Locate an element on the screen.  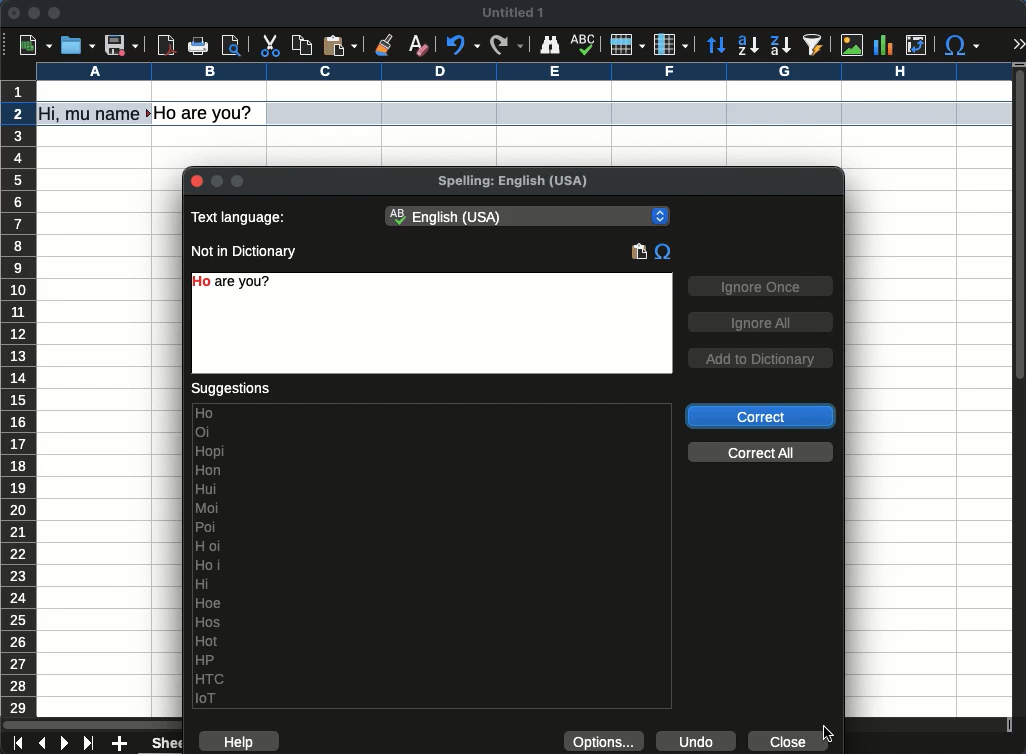
Hopi is located at coordinates (211, 450).